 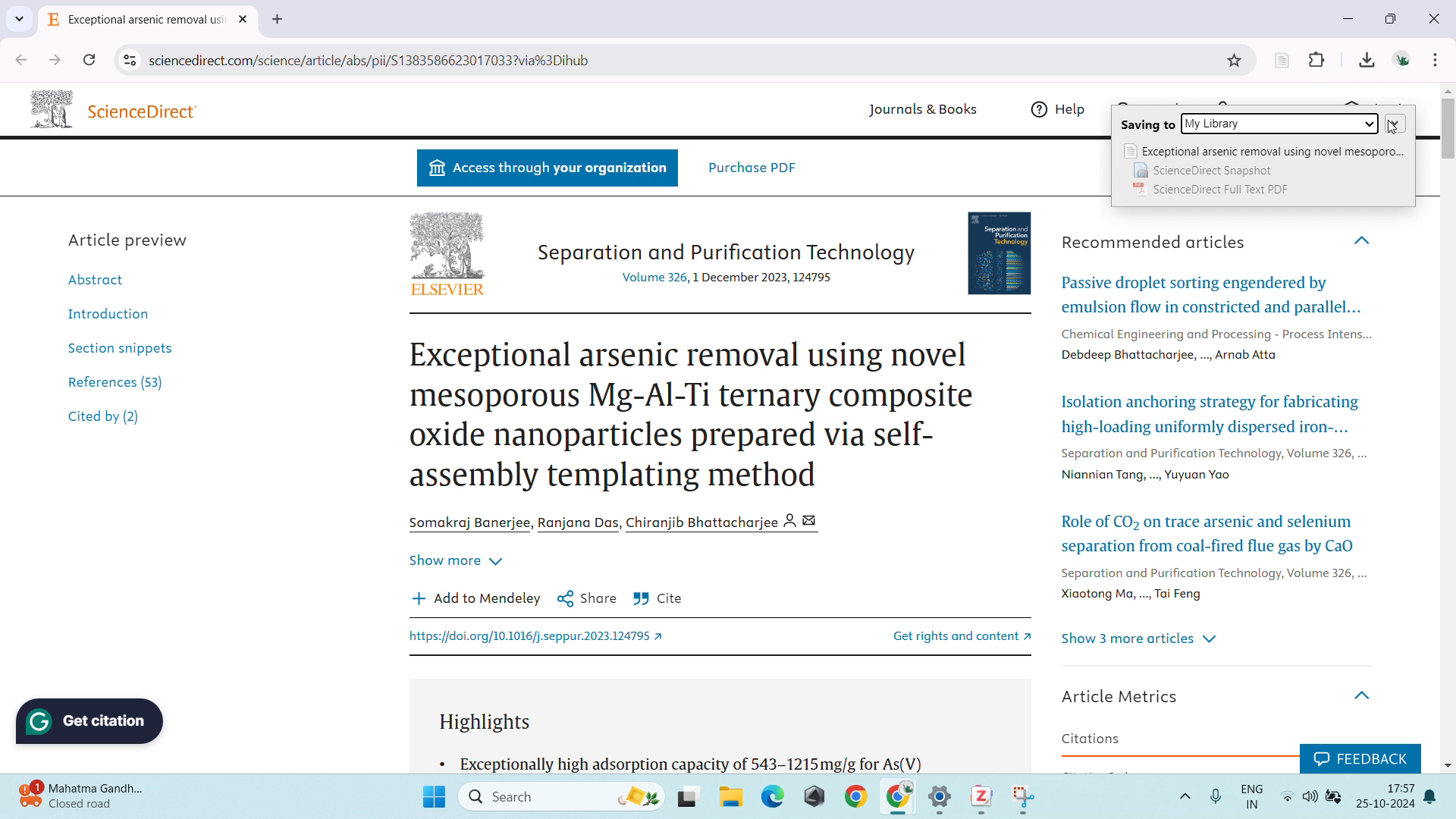 What do you see at coordinates (89, 60) in the screenshot?
I see `relload this page` at bounding box center [89, 60].